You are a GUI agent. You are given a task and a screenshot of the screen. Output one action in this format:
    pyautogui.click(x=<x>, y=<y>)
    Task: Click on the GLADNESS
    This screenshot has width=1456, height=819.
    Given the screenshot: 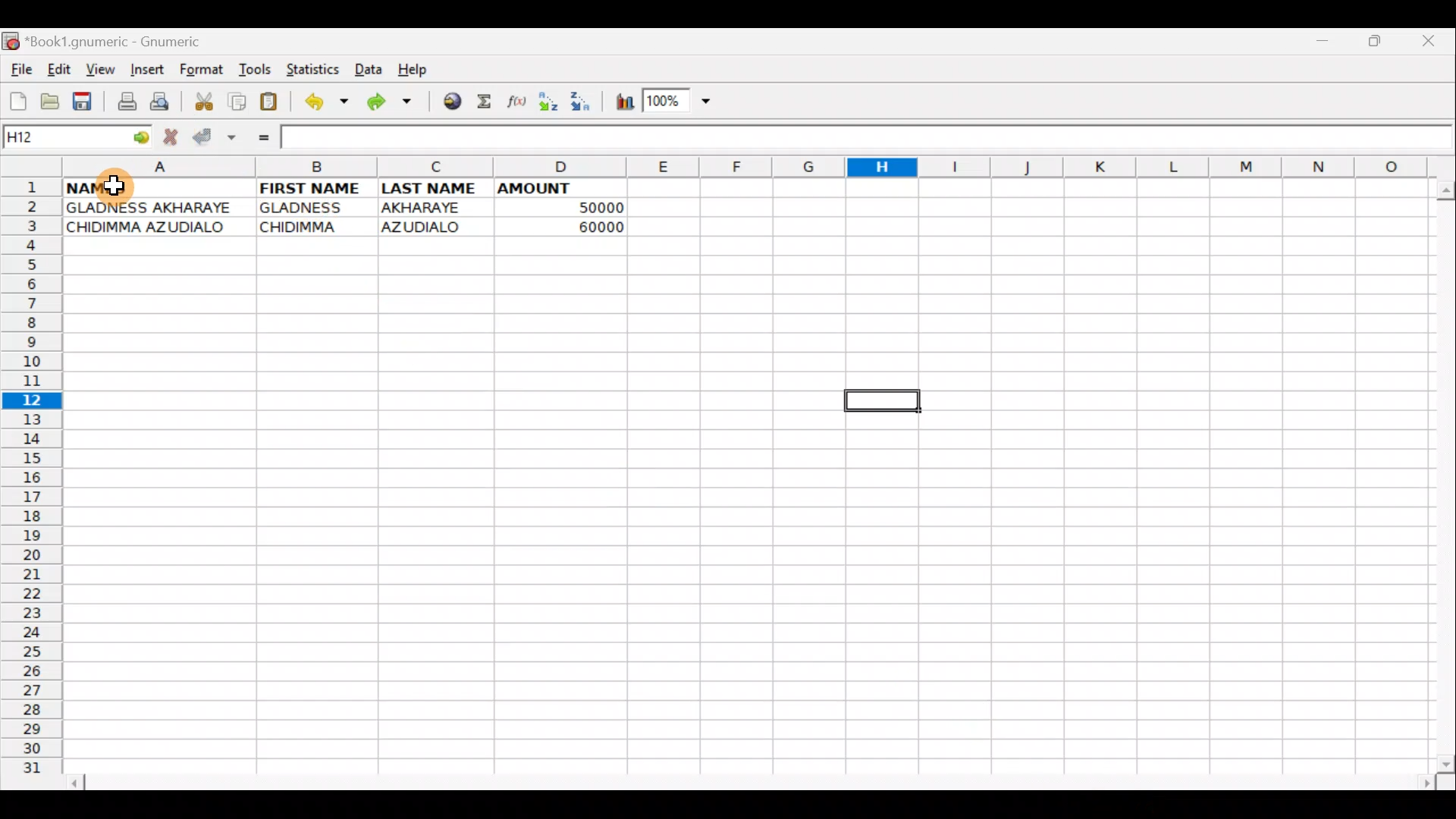 What is the action you would take?
    pyautogui.click(x=313, y=206)
    